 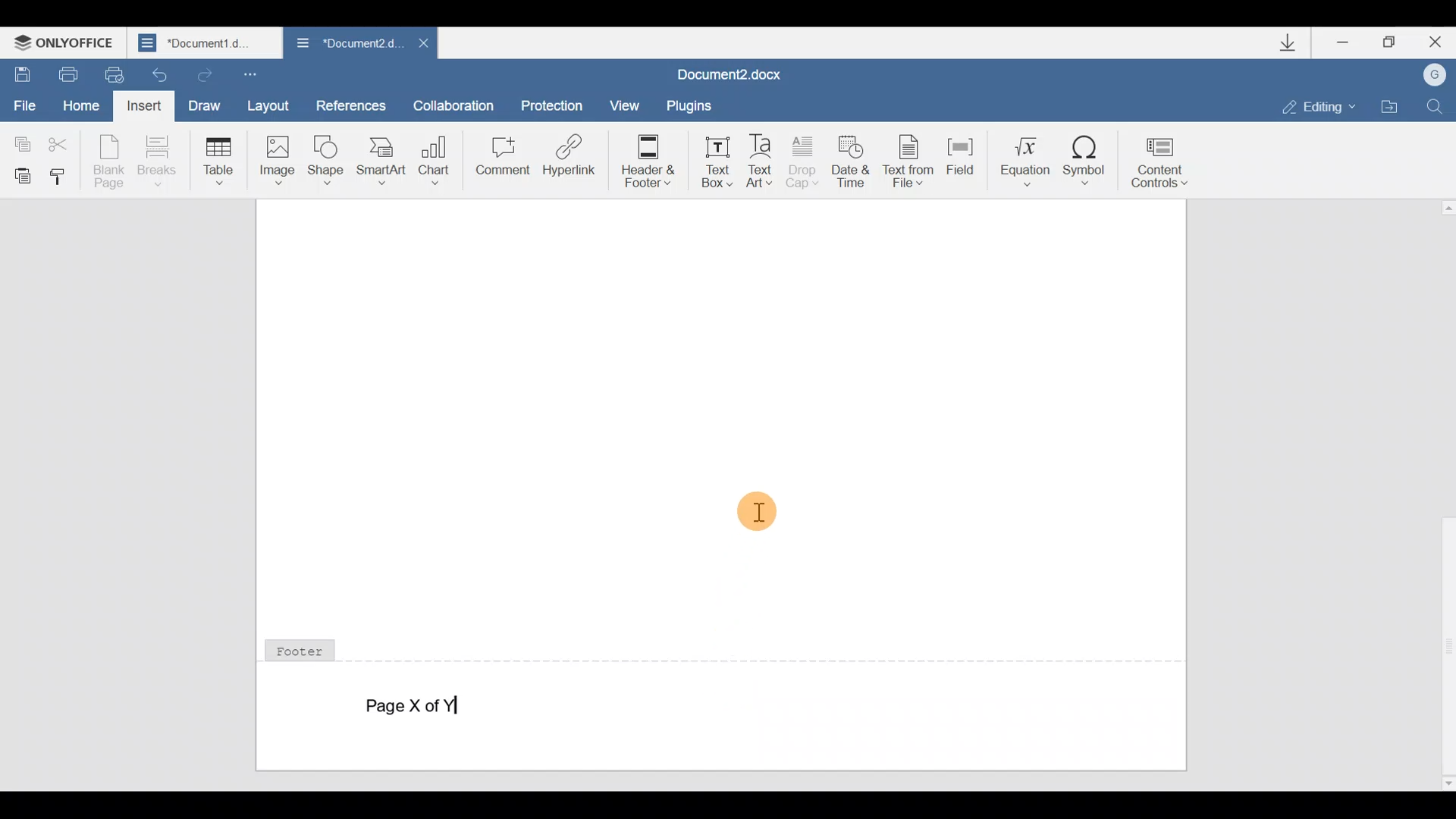 I want to click on File, so click(x=26, y=106).